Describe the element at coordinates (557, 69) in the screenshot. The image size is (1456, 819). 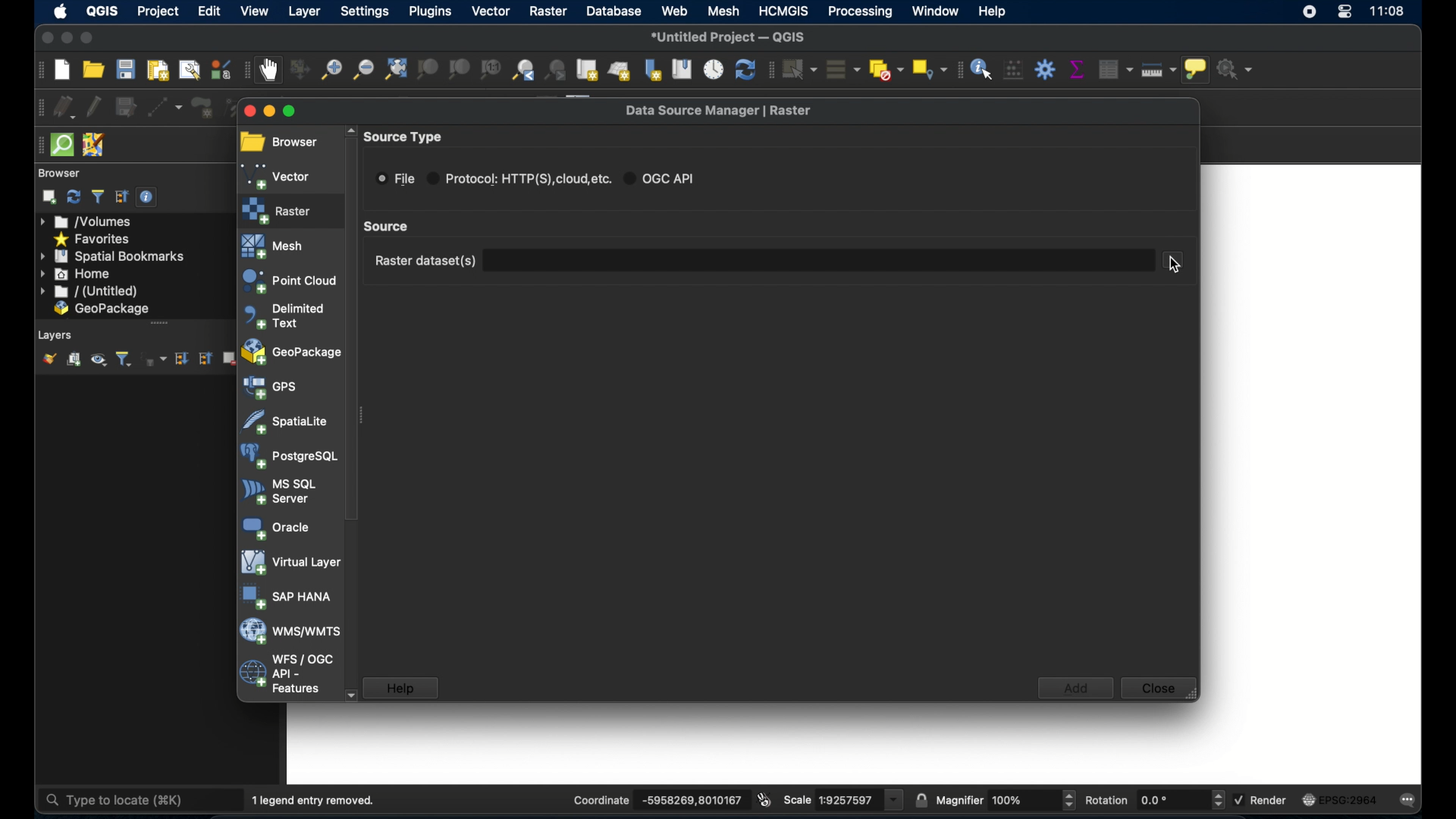
I see `zoom next` at that location.